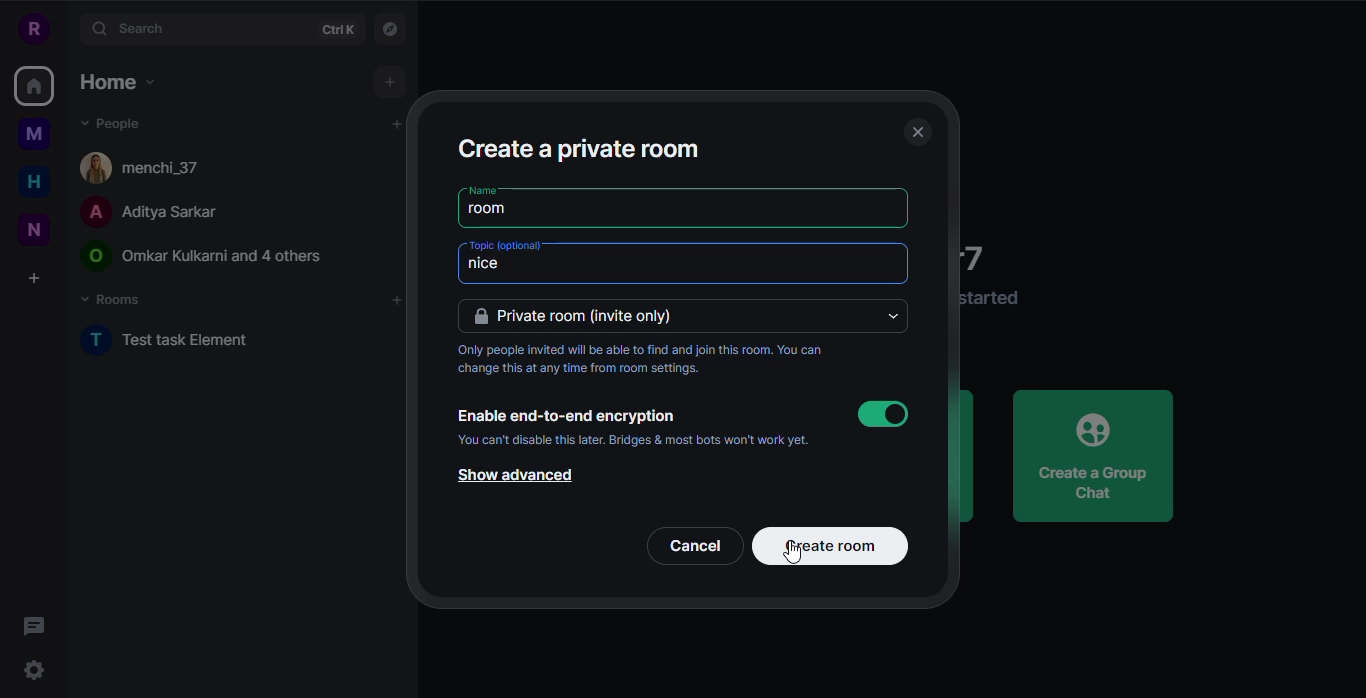  I want to click on navigator, so click(395, 30).